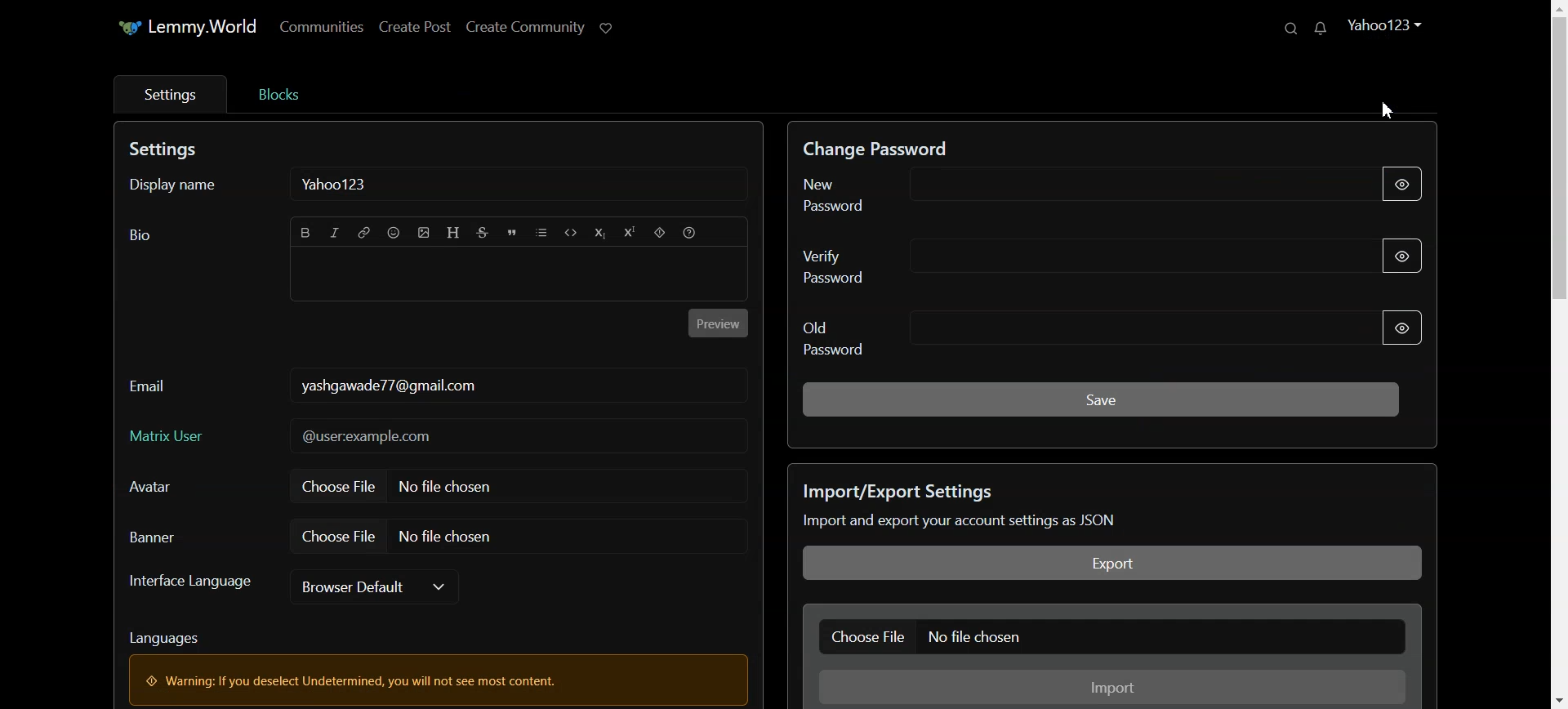 The image size is (1568, 709). Describe the element at coordinates (599, 232) in the screenshot. I see `Subscript` at that location.